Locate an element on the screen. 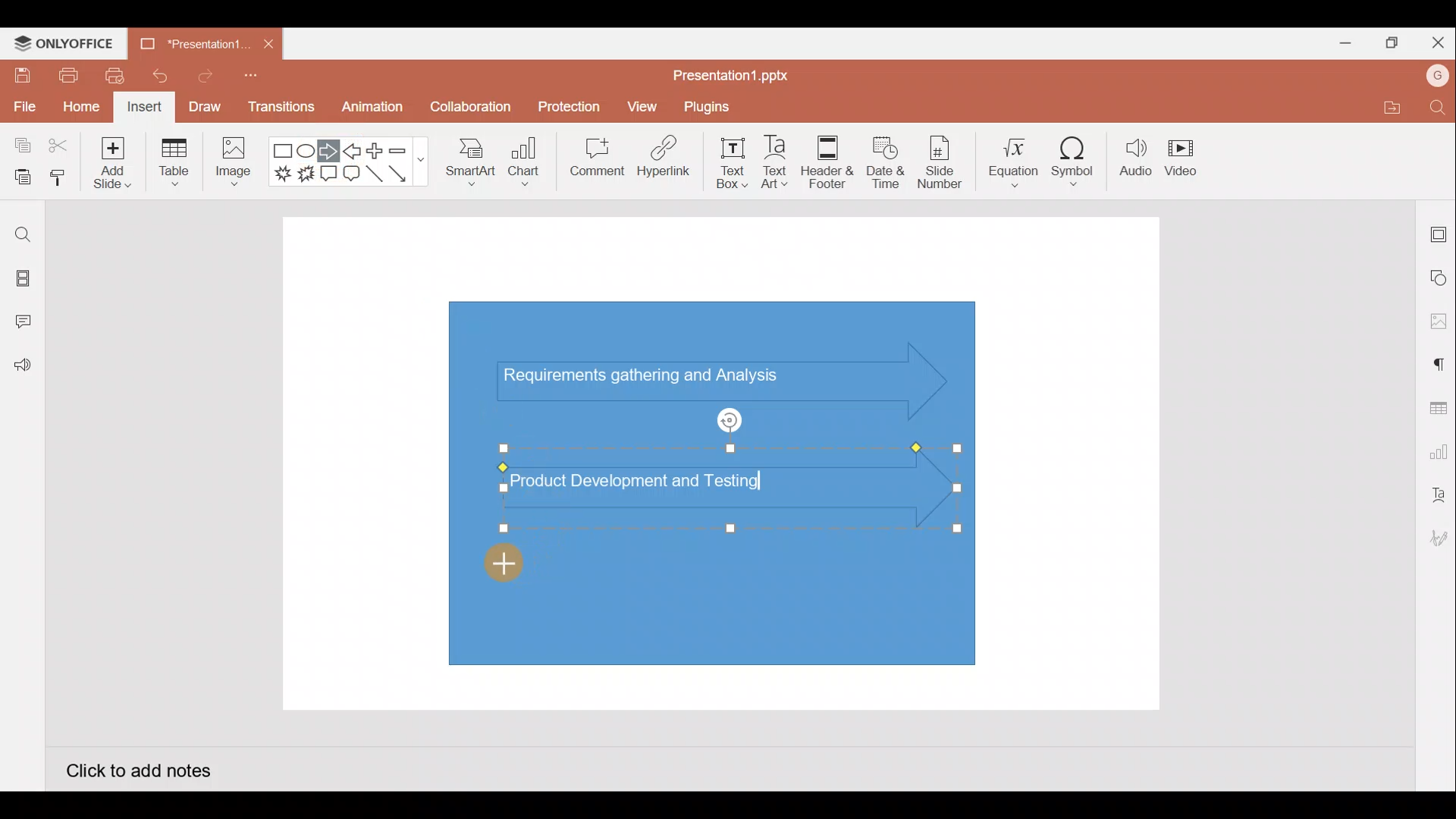  Presentation1. is located at coordinates (193, 44).